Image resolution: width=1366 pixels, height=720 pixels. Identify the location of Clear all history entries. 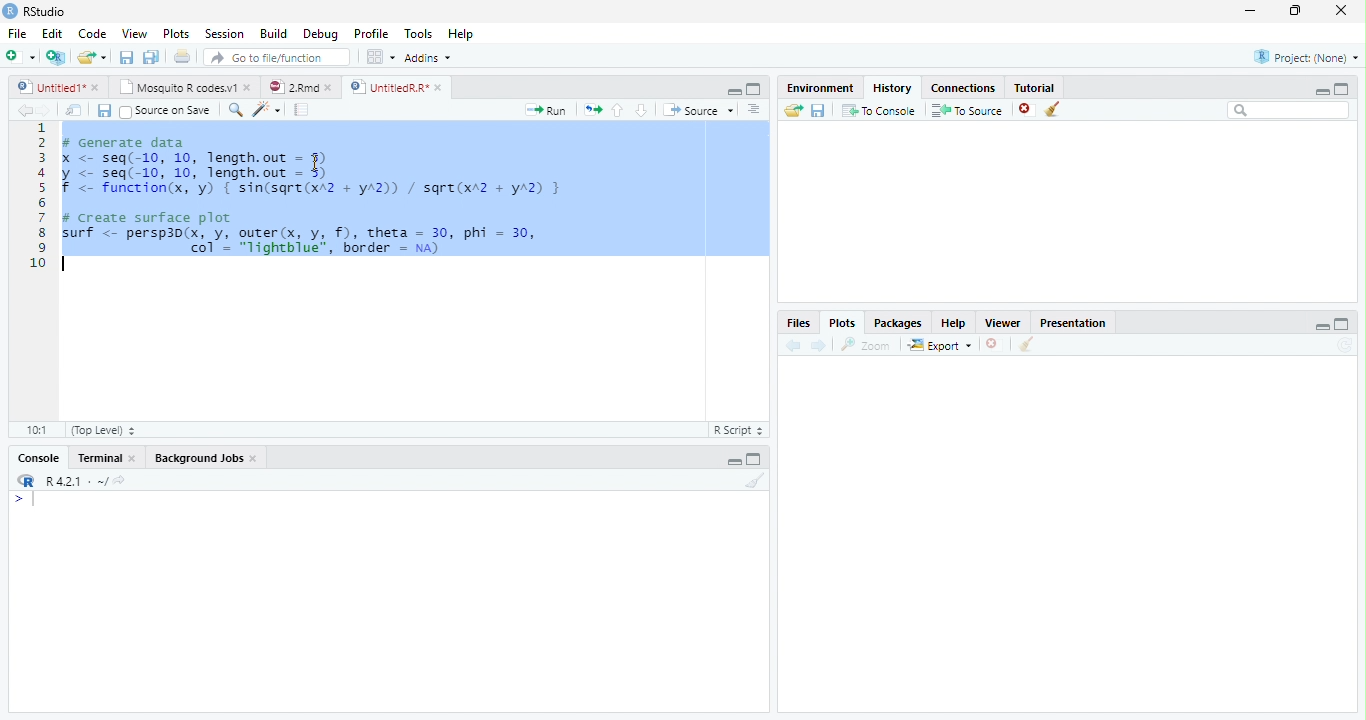
(1052, 109).